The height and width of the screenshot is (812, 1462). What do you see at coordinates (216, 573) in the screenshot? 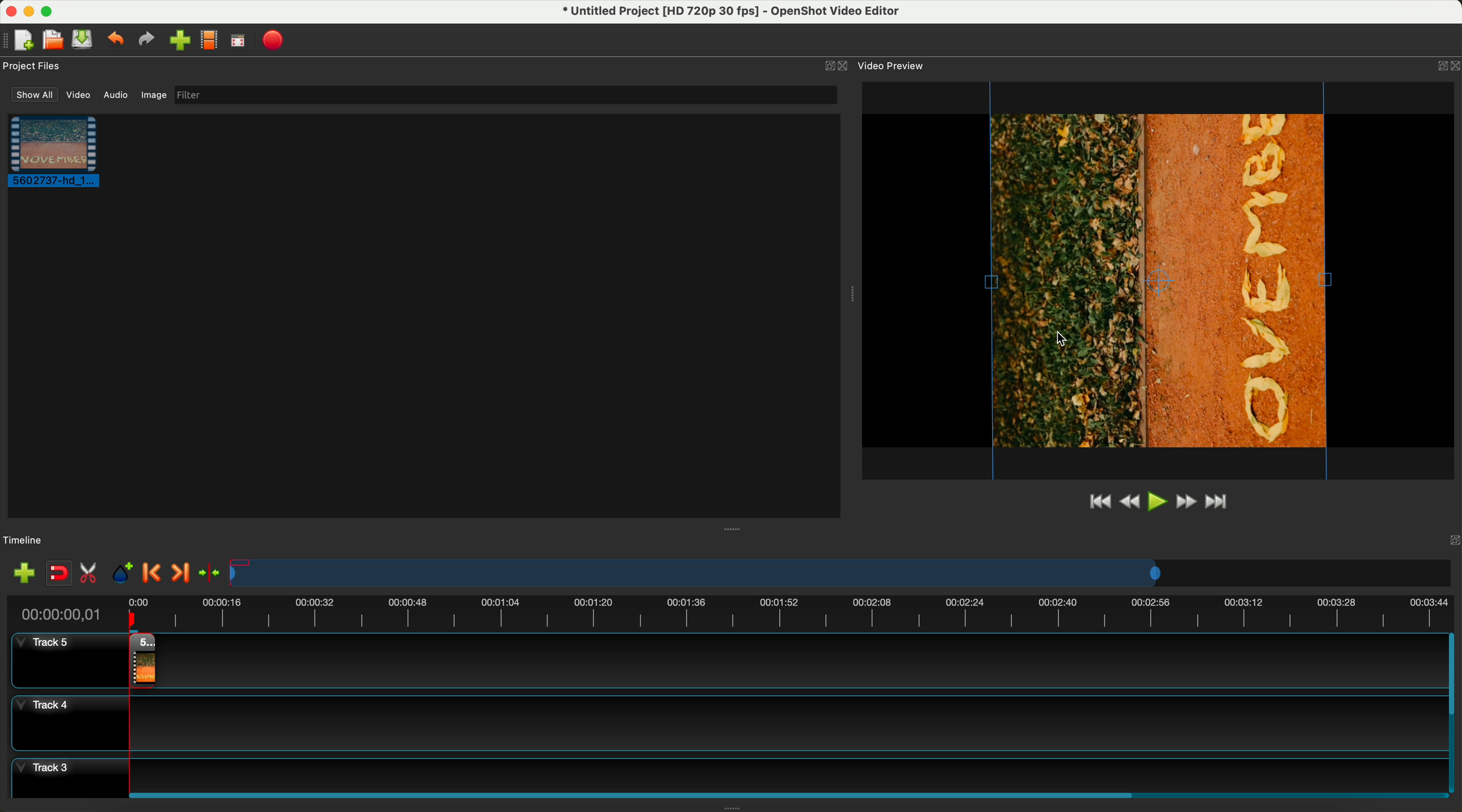
I see `center the timeline on the playhead` at bounding box center [216, 573].